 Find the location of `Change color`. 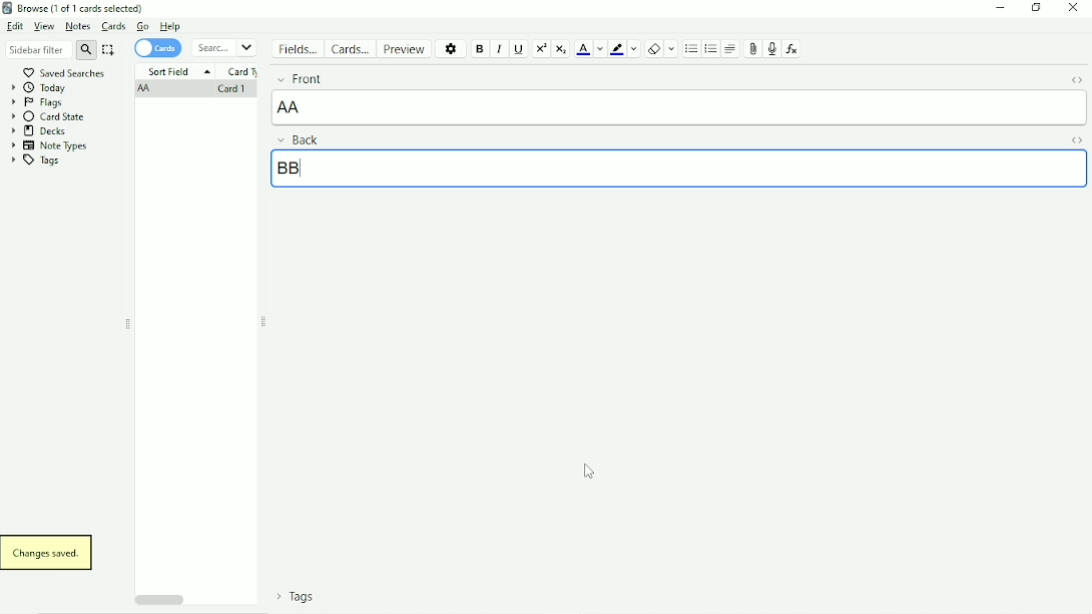

Change color is located at coordinates (599, 49).